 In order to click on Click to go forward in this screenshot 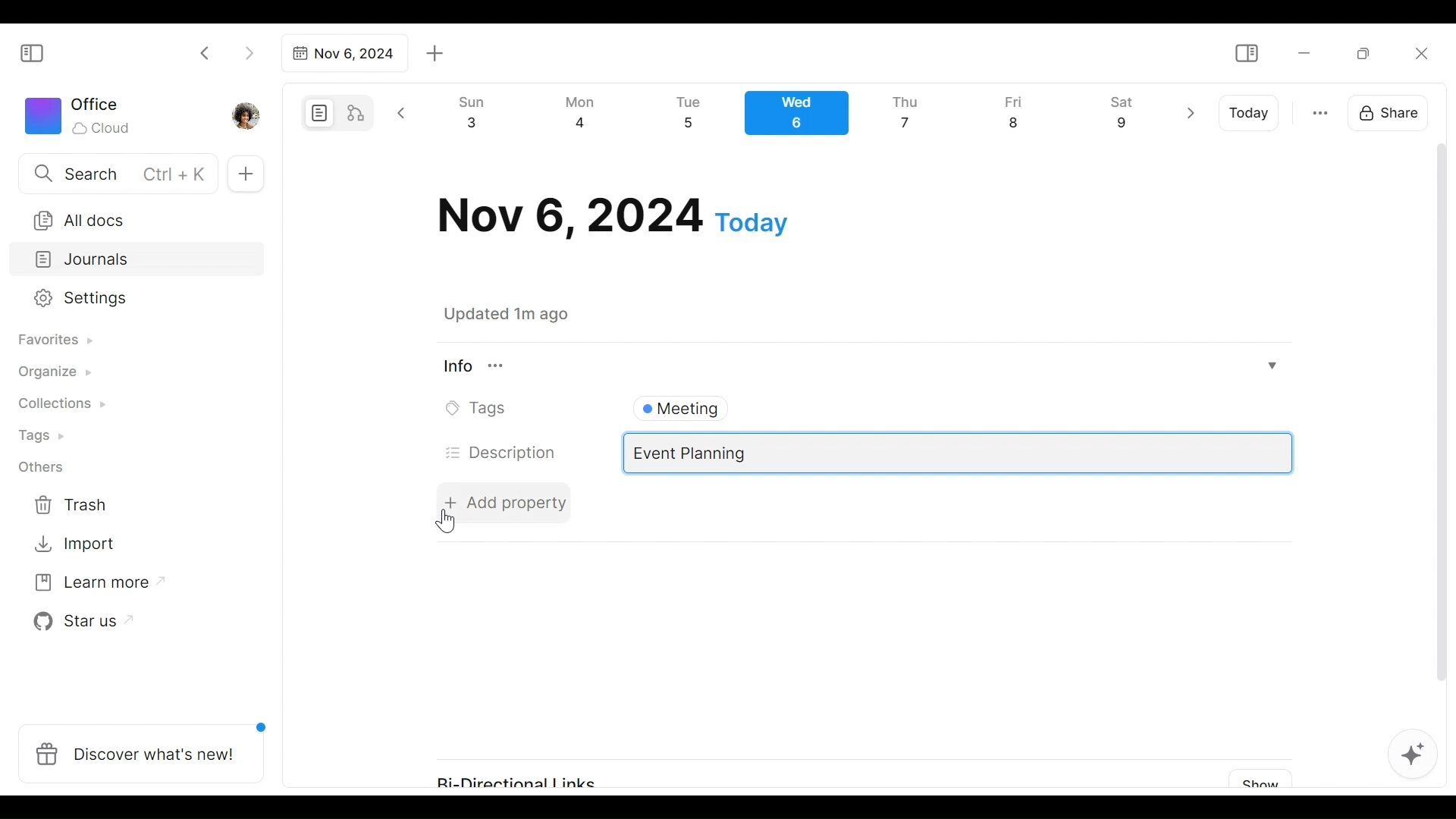, I will do `click(249, 52)`.